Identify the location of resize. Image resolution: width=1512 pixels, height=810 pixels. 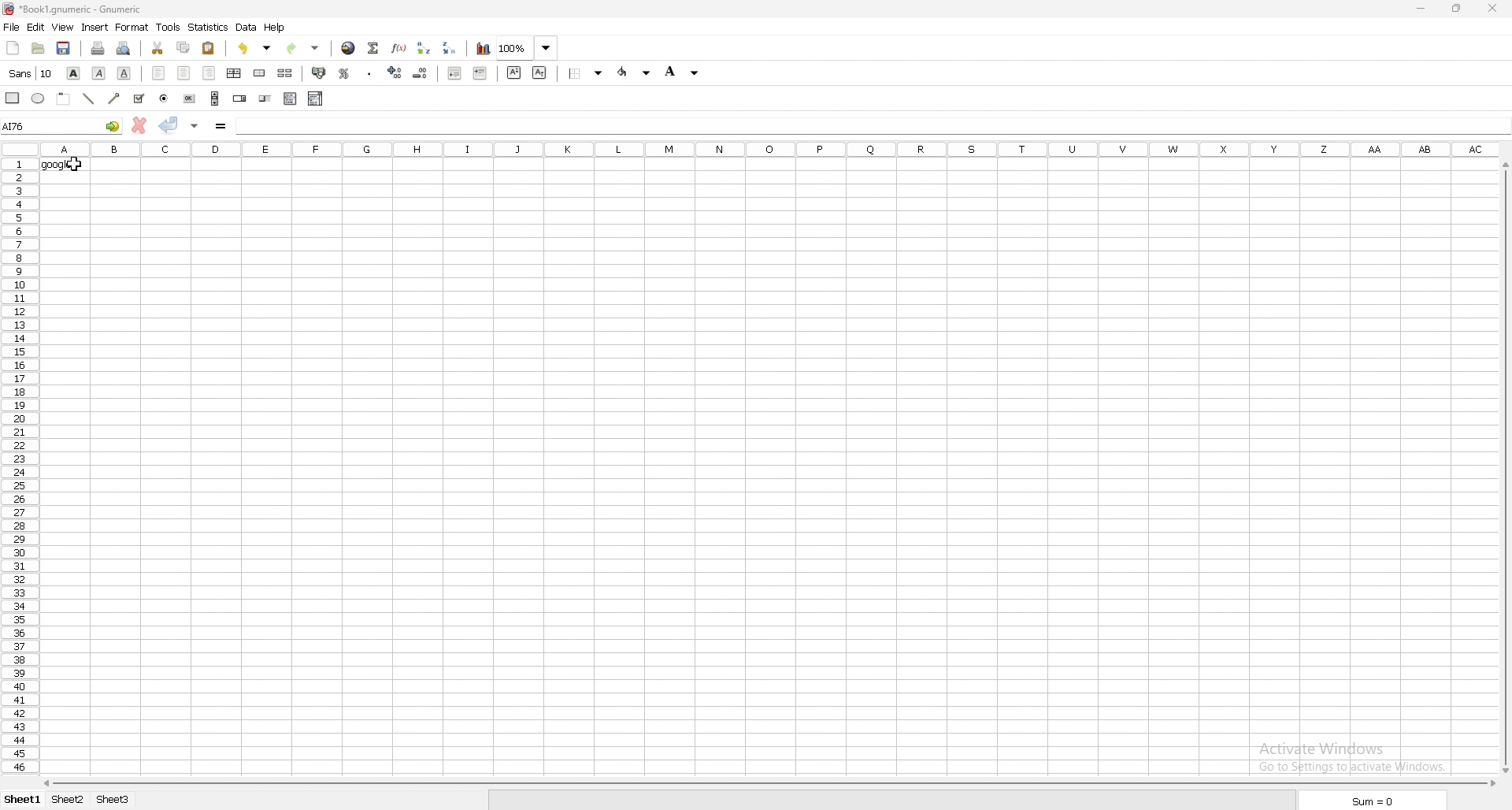
(1458, 8).